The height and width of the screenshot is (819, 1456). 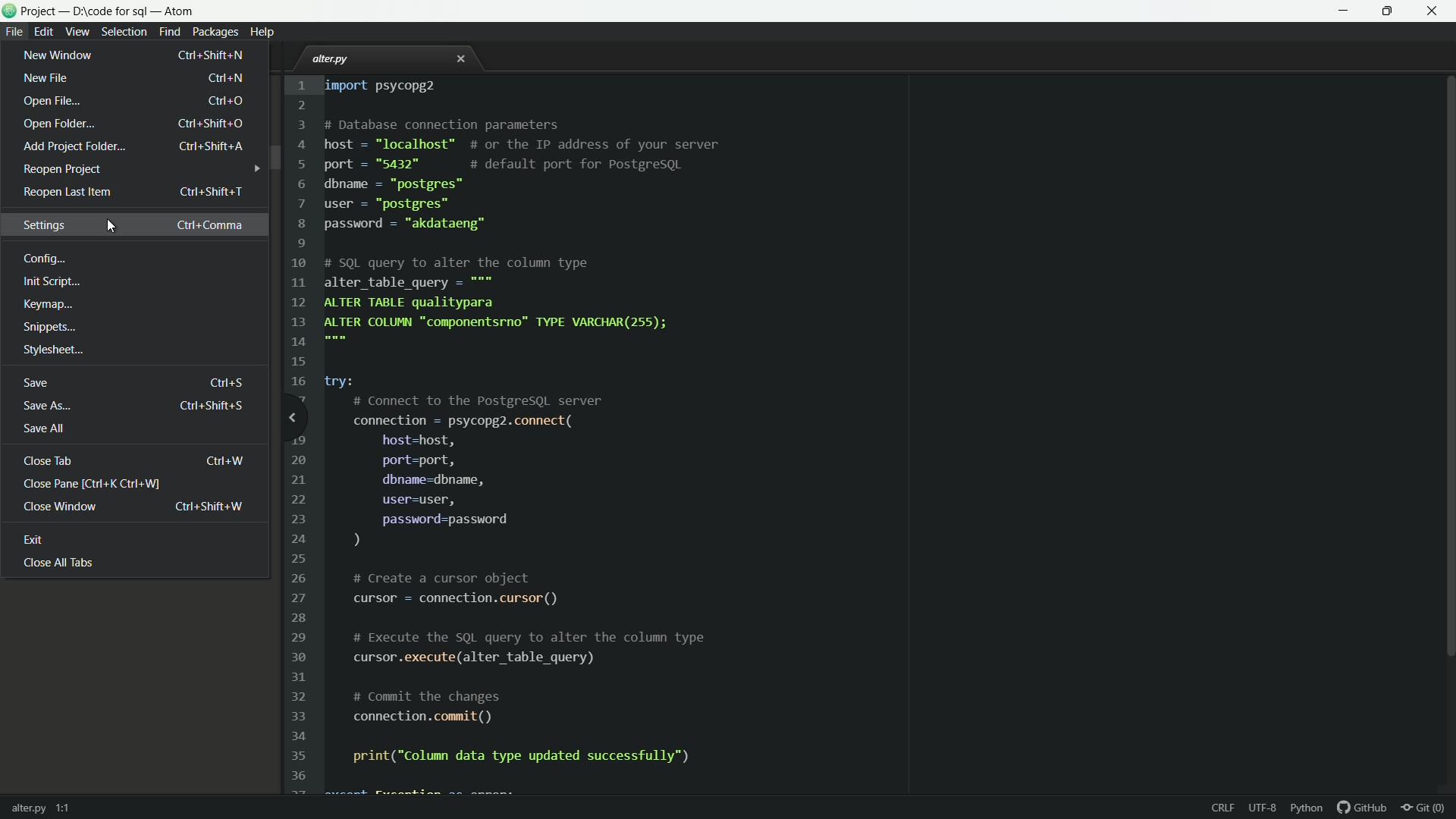 What do you see at coordinates (134, 78) in the screenshot?
I see `new file` at bounding box center [134, 78].